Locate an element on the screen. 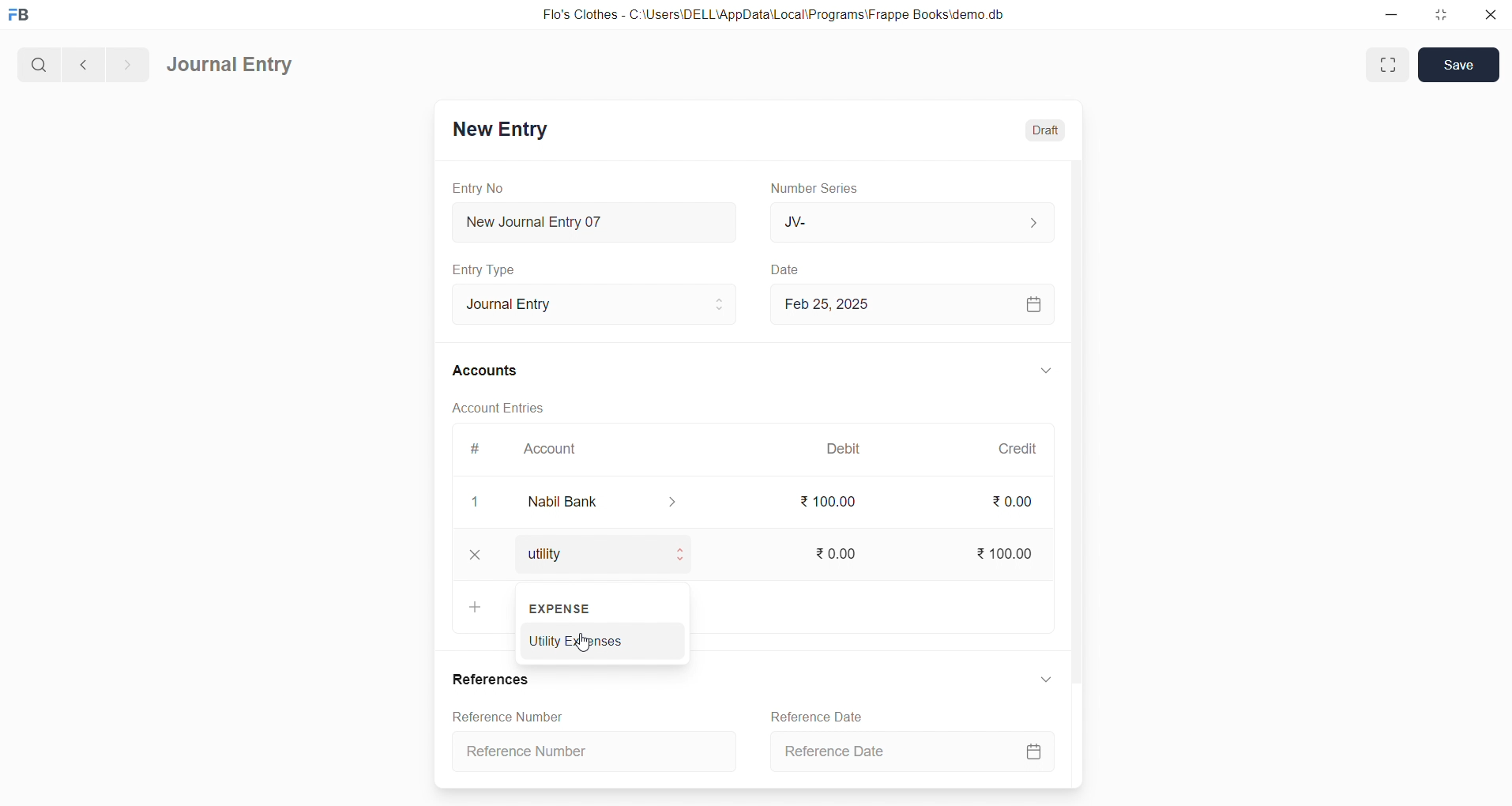  Reference Number is located at coordinates (502, 716).